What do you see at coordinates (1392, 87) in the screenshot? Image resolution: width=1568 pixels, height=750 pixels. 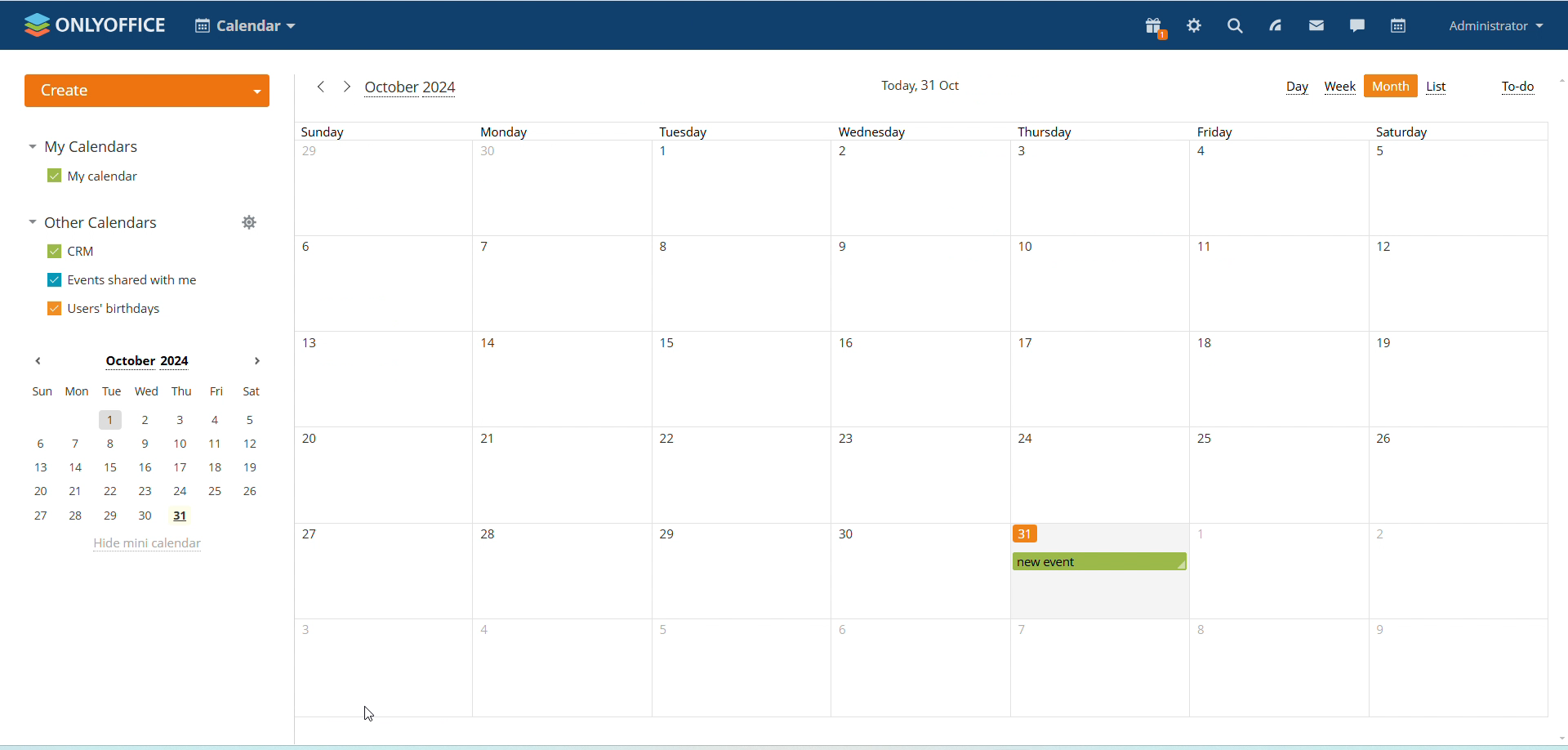 I see `month view` at bounding box center [1392, 87].